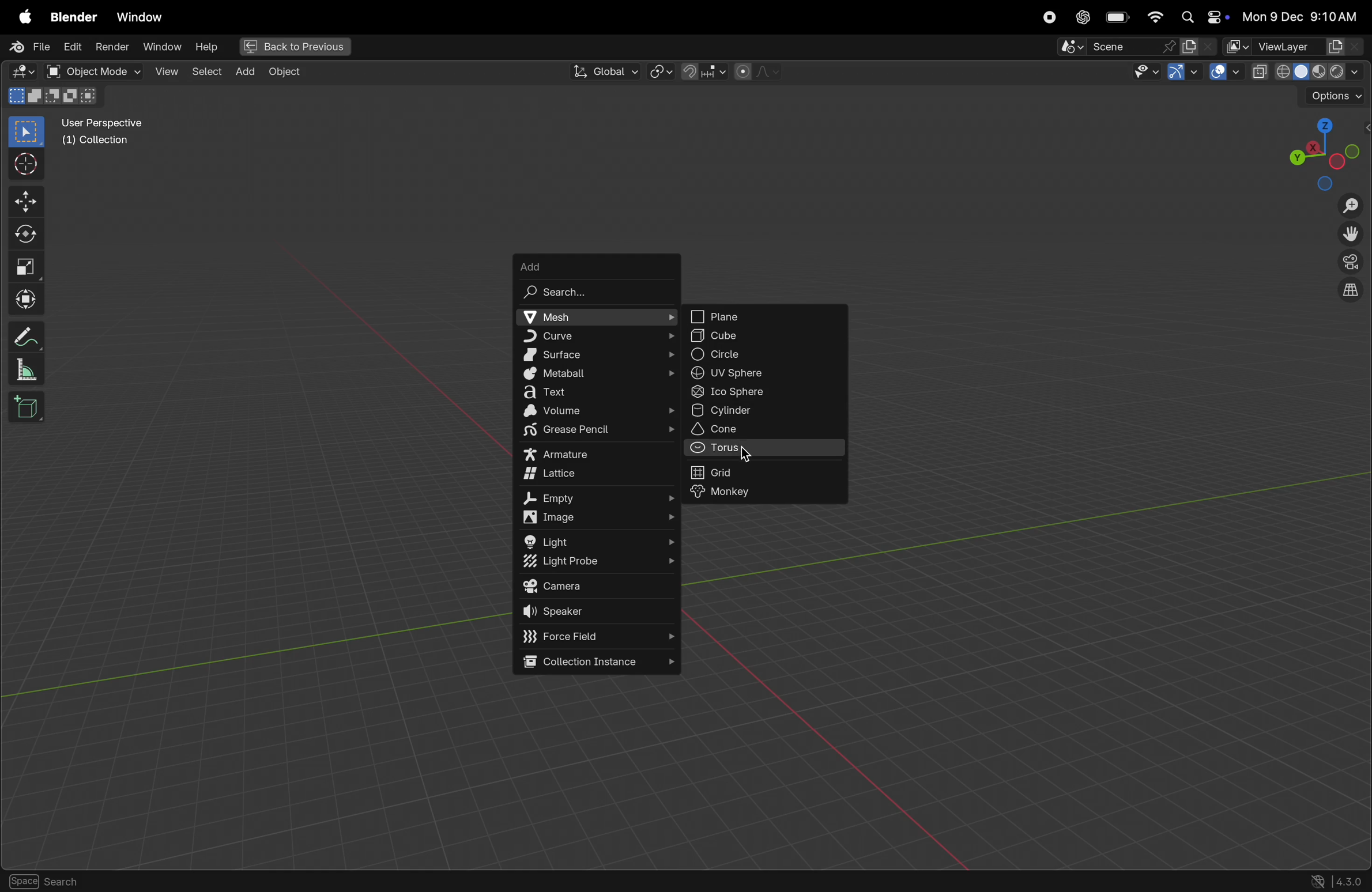 This screenshot has width=1372, height=892. Describe the element at coordinates (1350, 292) in the screenshot. I see `orthogonal perspective` at that location.